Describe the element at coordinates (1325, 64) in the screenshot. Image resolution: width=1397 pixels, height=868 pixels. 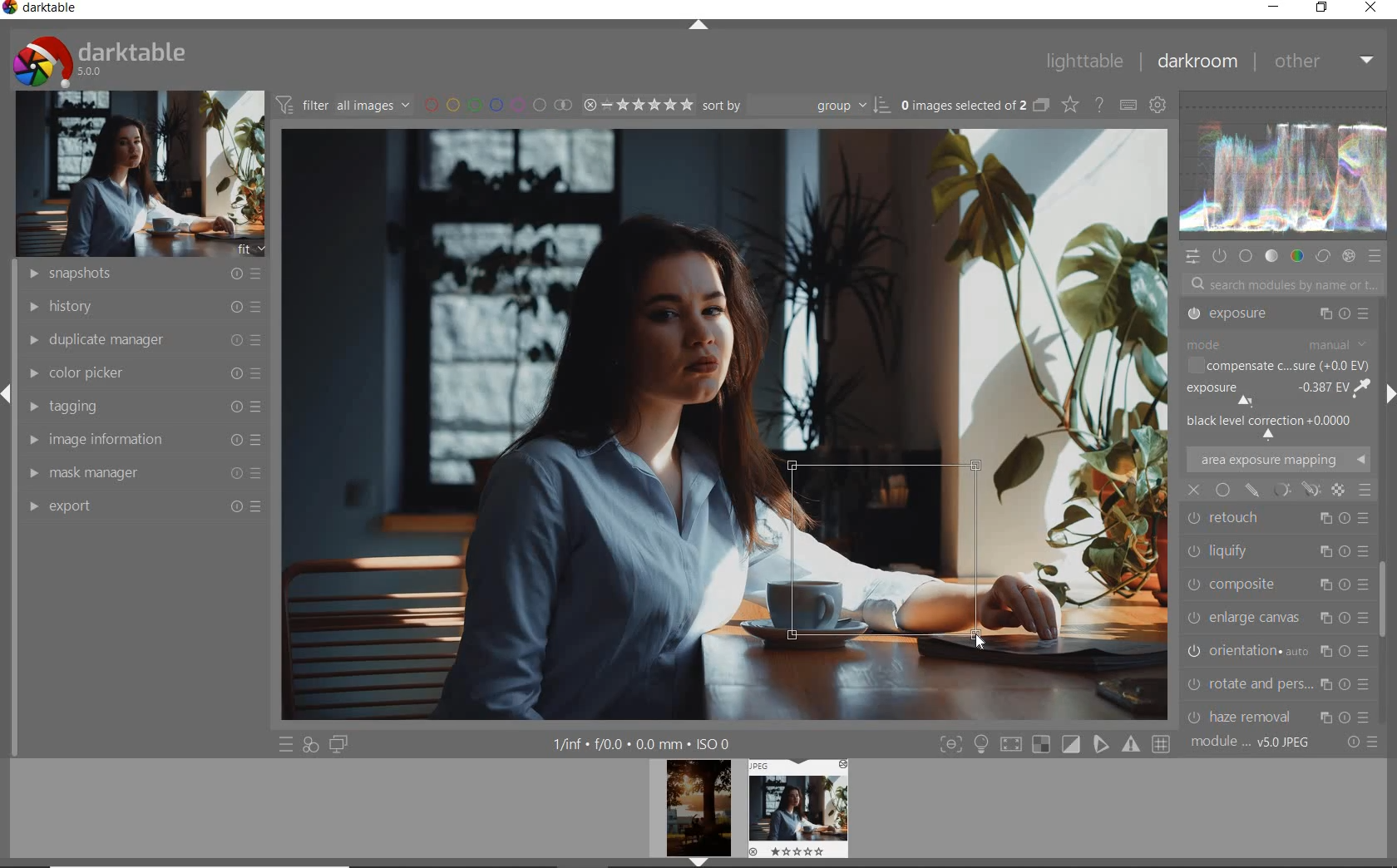
I see `OTHER` at that location.